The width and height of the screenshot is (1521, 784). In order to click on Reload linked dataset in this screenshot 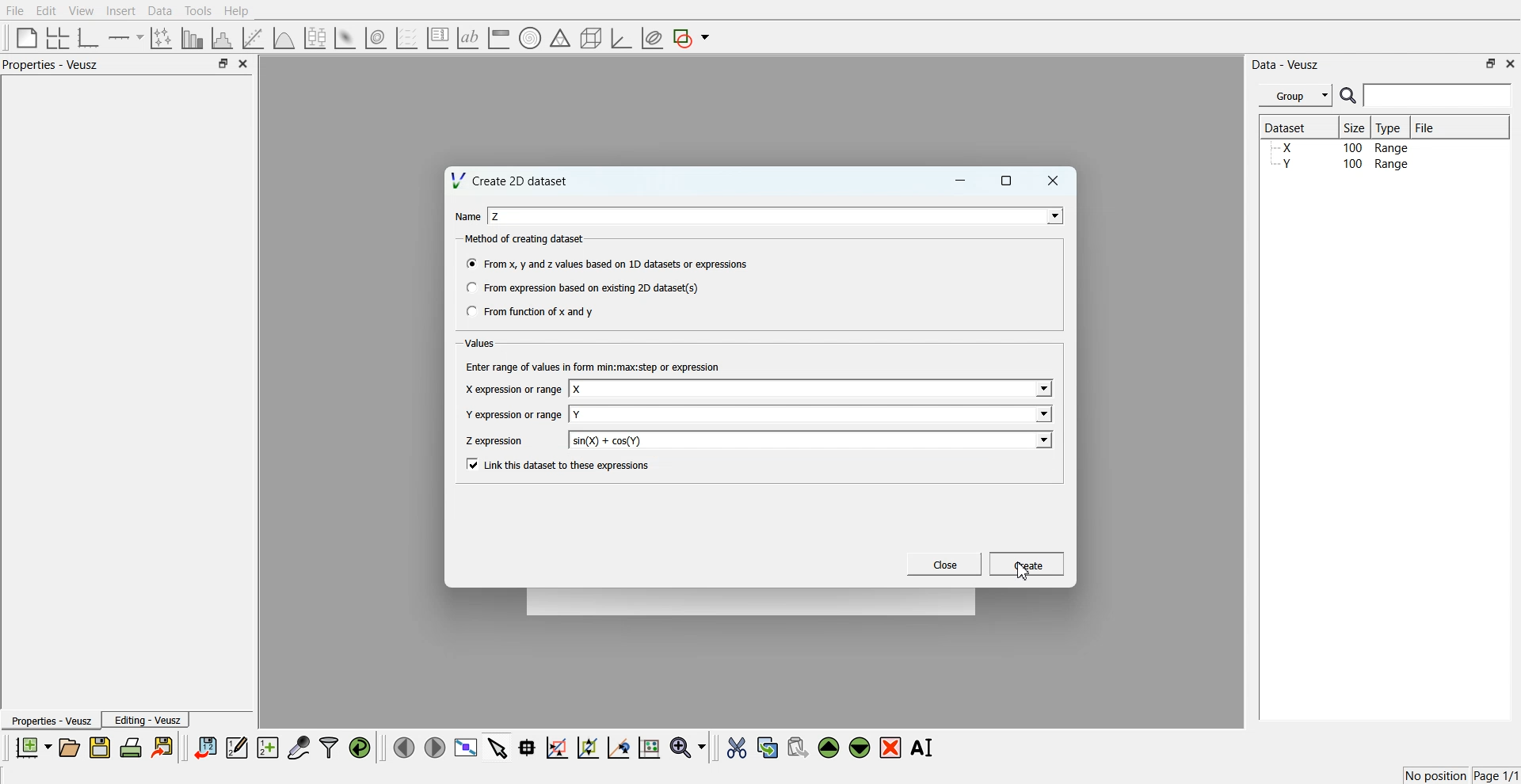, I will do `click(360, 748)`.